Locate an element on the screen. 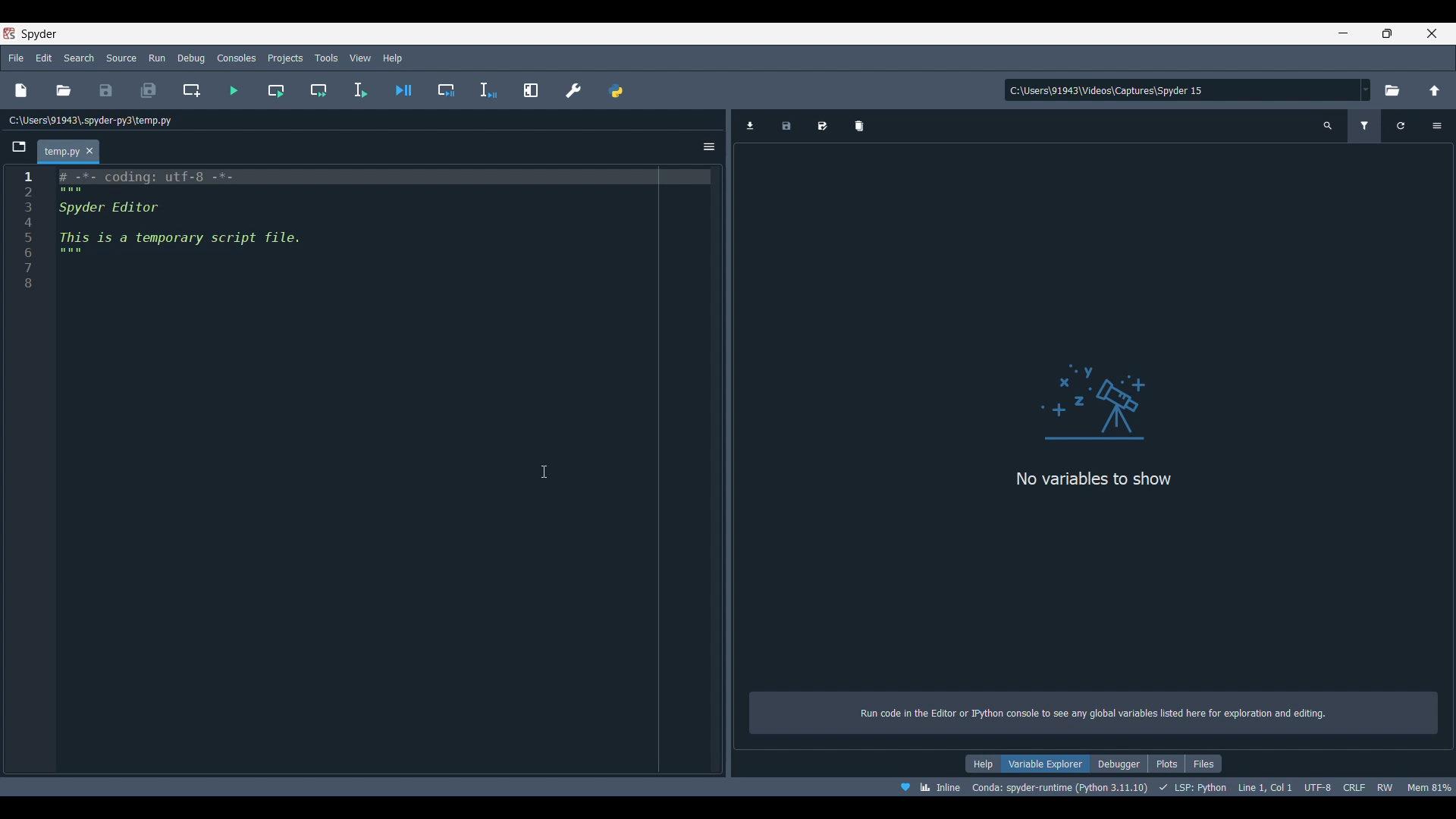 The height and width of the screenshot is (819, 1456). Run menu is located at coordinates (157, 58).